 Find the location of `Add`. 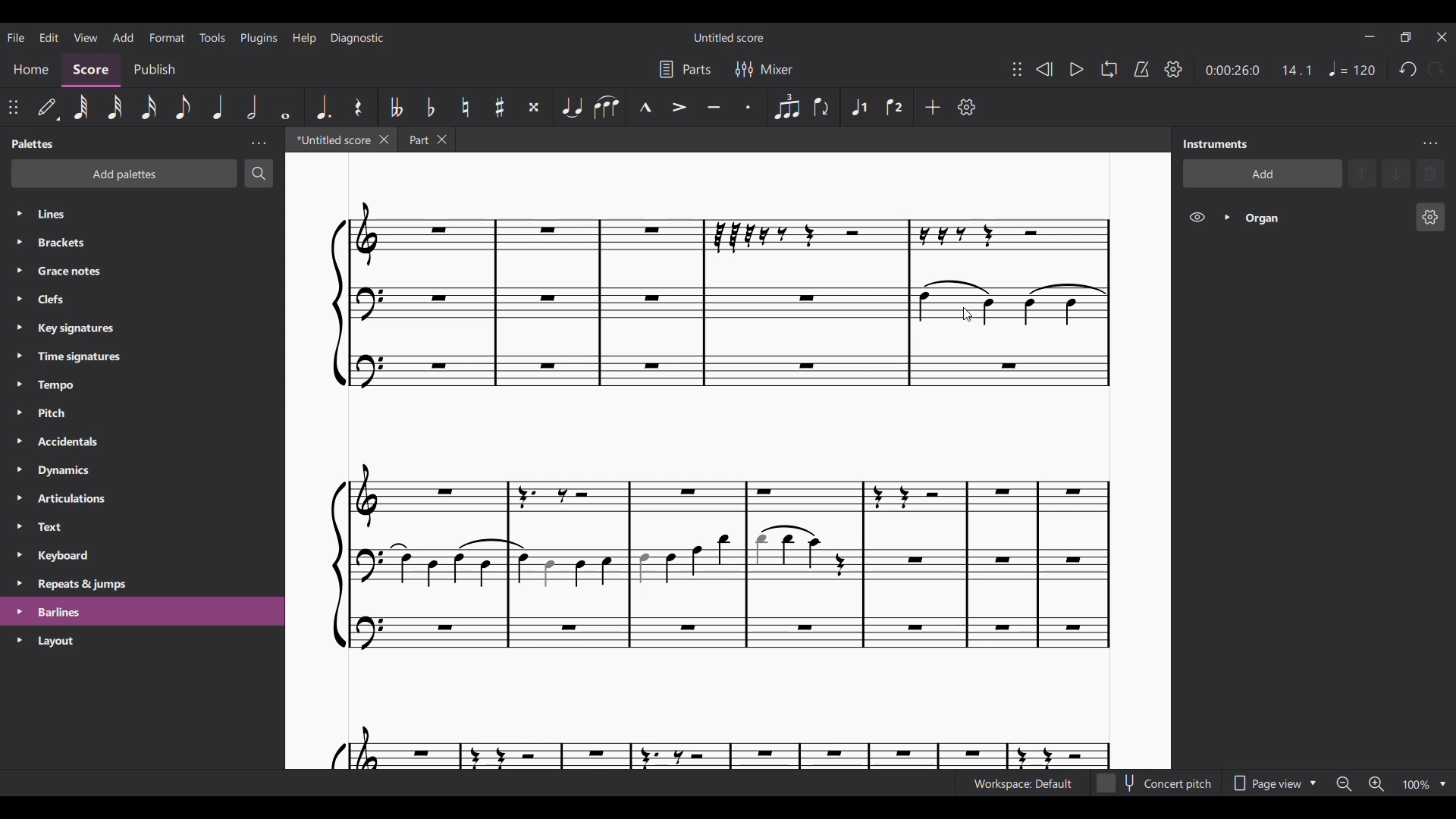

Add is located at coordinates (933, 106).